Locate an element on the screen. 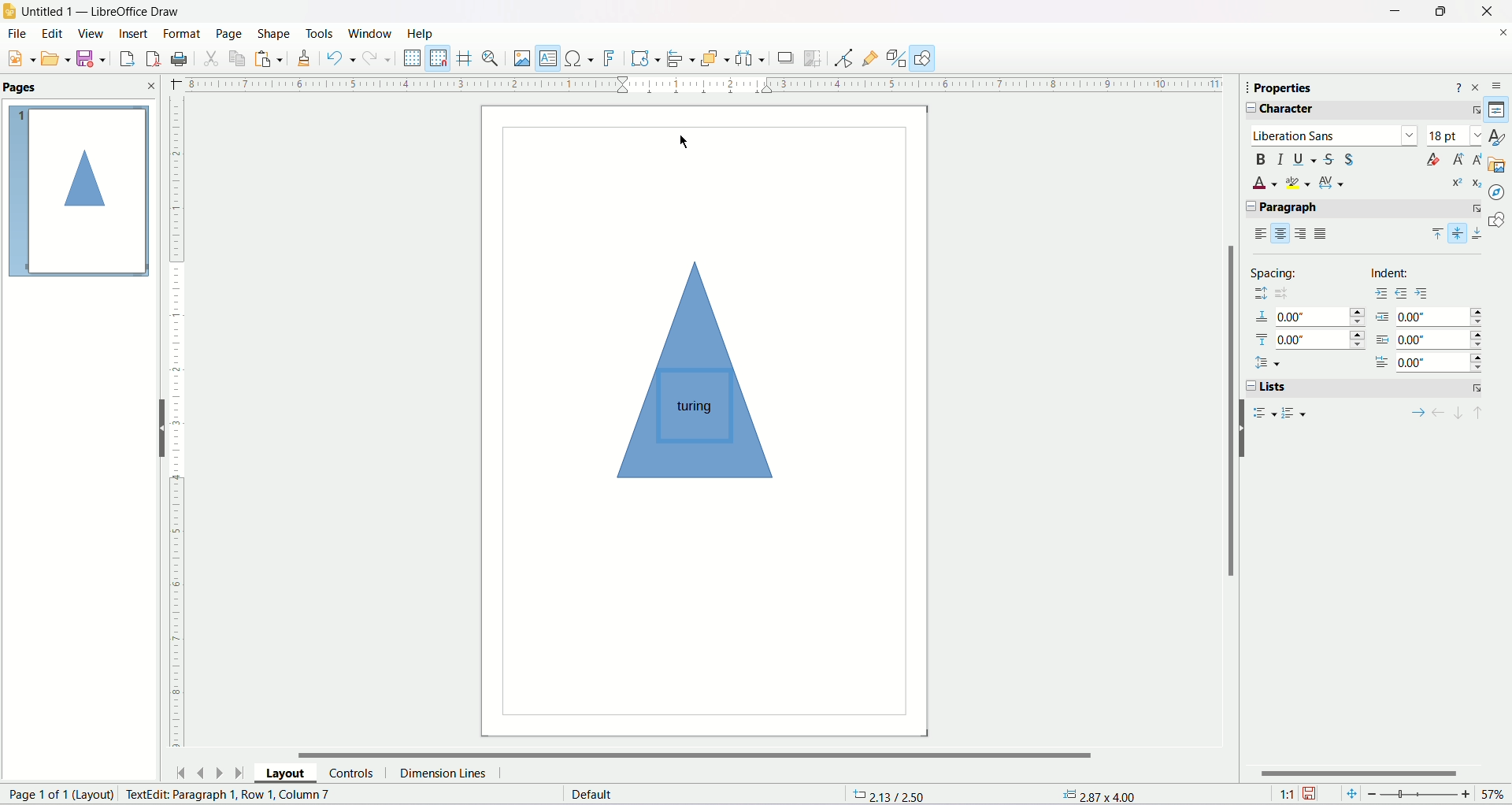  character spacing is located at coordinates (1334, 185).